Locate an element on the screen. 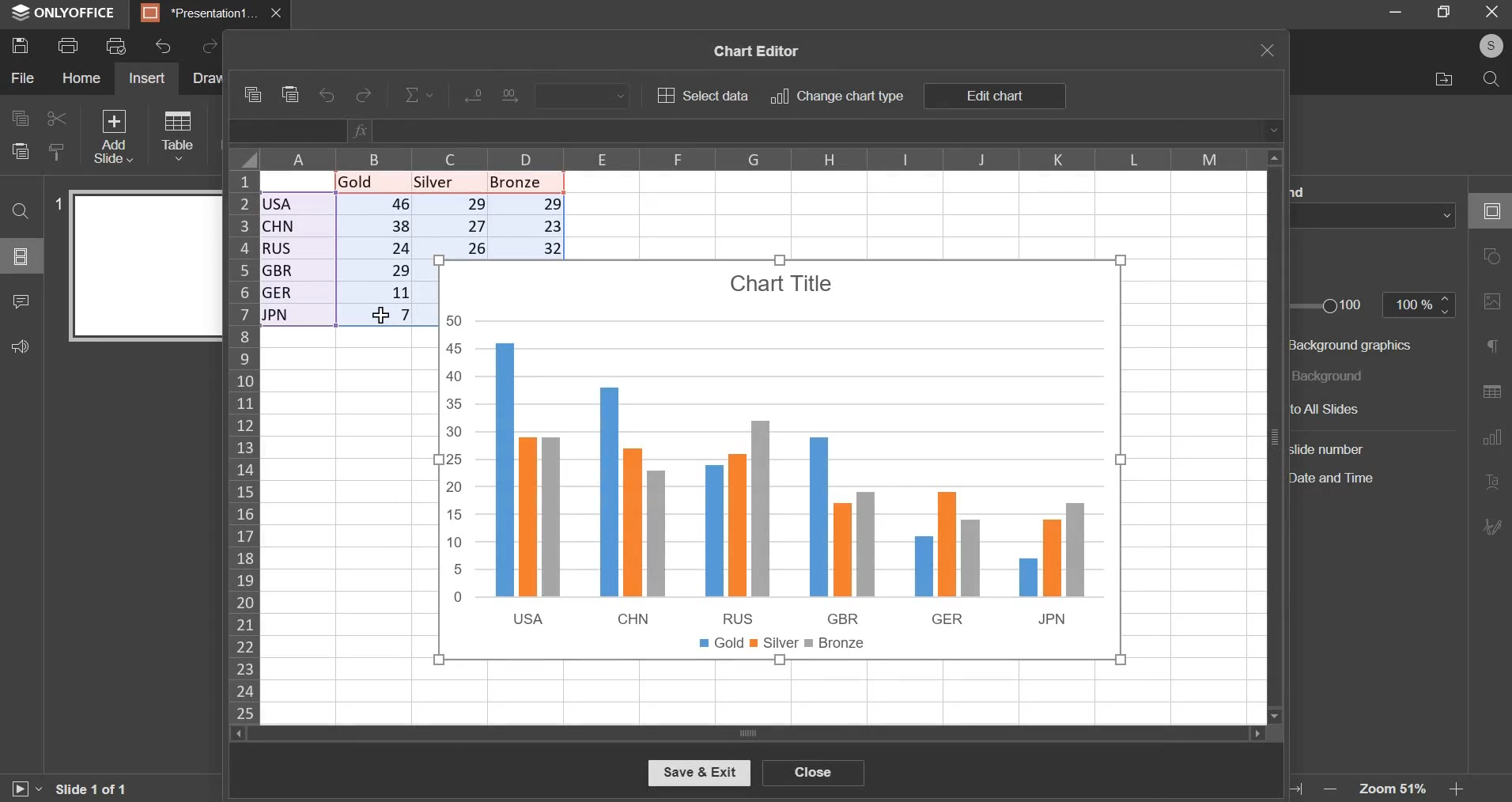 This screenshot has width=1512, height=802. chart title is located at coordinates (784, 283).